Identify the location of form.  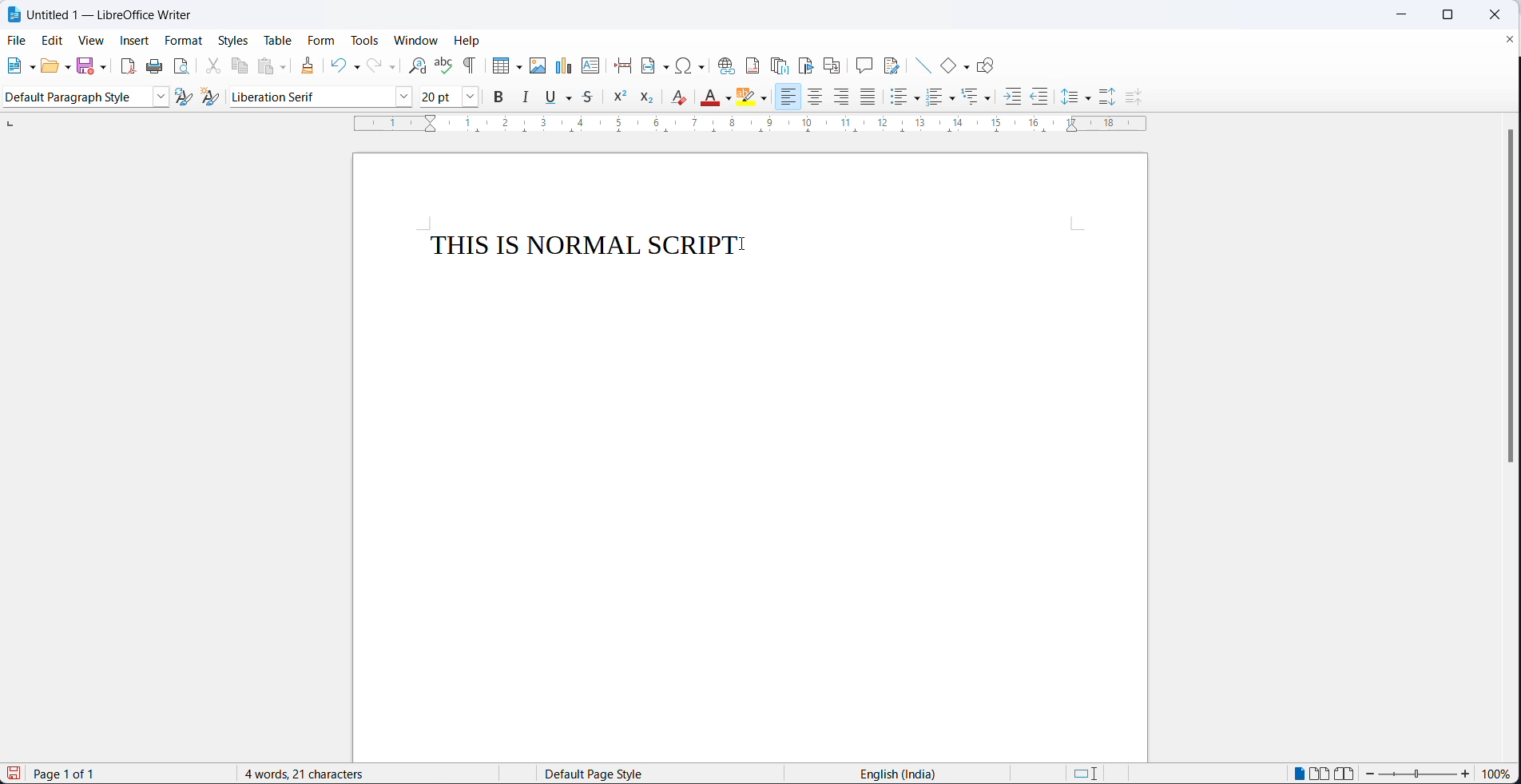
(323, 42).